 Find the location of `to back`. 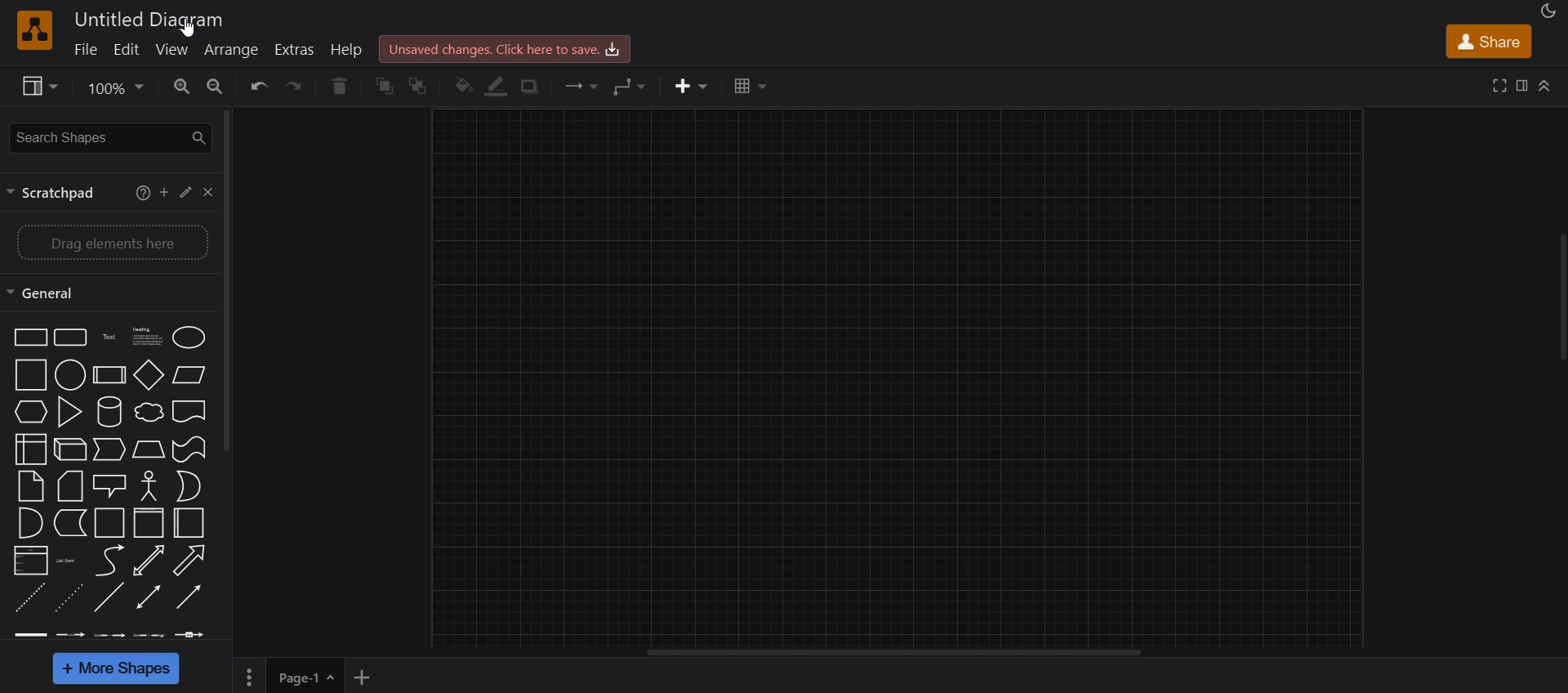

to back is located at coordinates (423, 85).